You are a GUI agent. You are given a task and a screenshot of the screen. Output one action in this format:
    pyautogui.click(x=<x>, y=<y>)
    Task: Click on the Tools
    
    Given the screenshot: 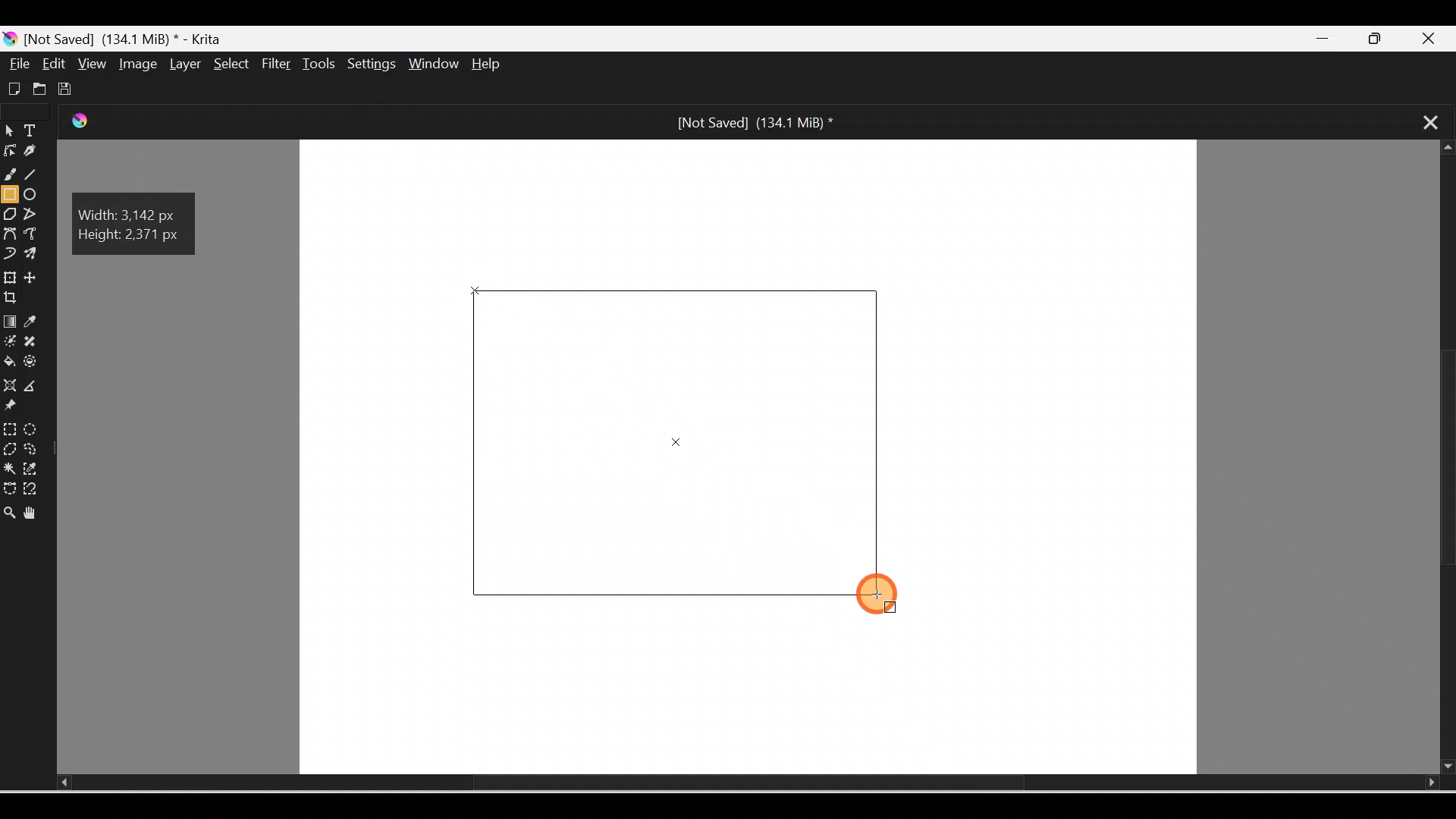 What is the action you would take?
    pyautogui.click(x=322, y=64)
    